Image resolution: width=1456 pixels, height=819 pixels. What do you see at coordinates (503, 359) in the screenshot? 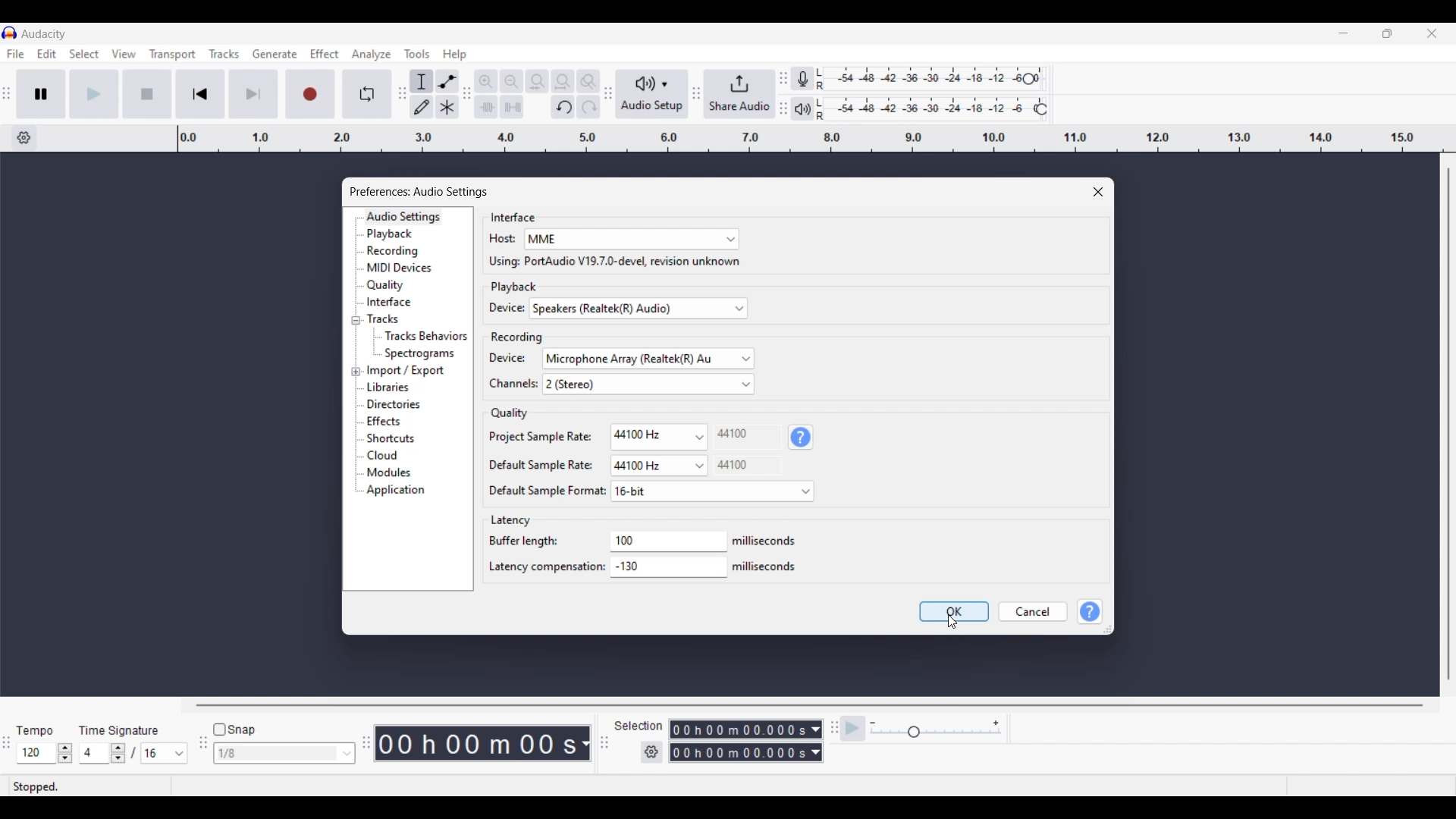
I see `Device:` at bounding box center [503, 359].